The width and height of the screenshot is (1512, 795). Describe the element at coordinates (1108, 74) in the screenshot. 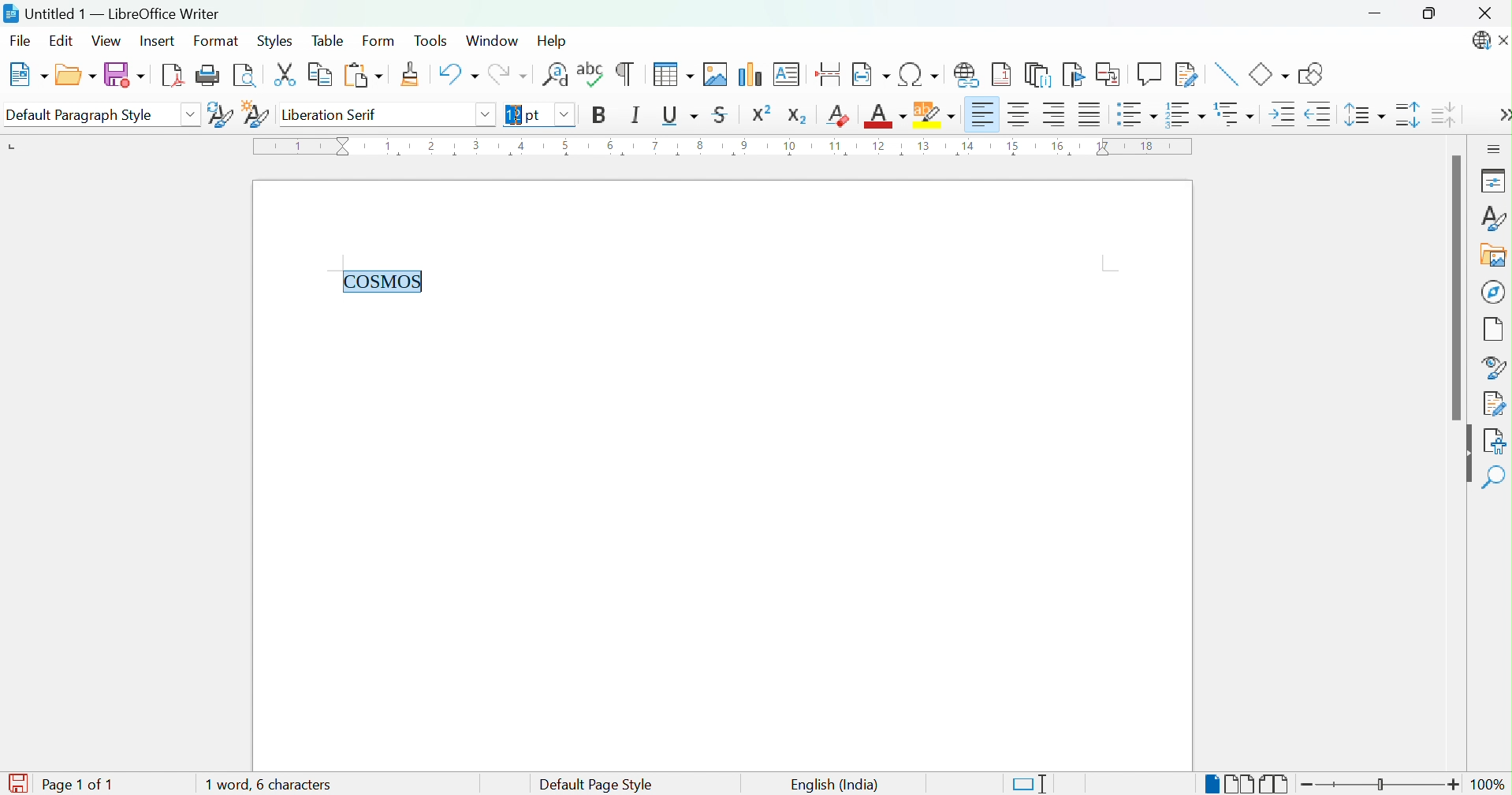

I see `Insert Corss-reference` at that location.